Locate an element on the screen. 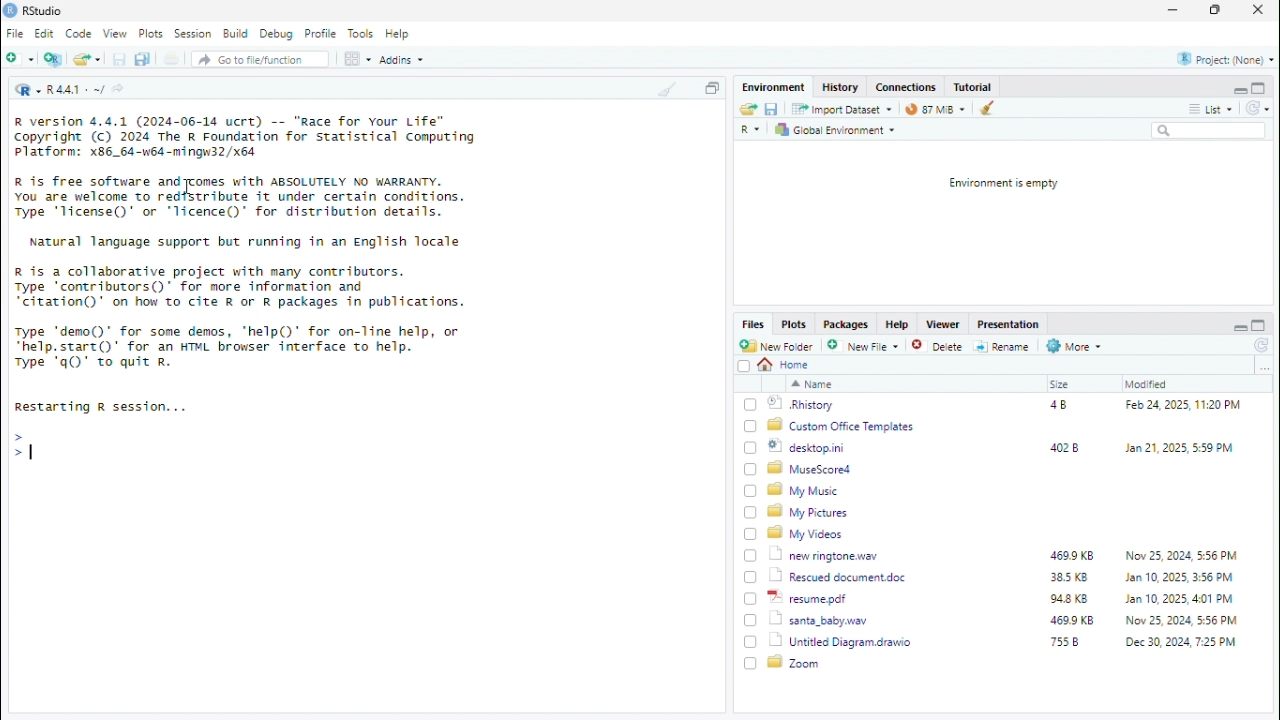 The height and width of the screenshot is (720, 1280). Checkbox is located at coordinates (744, 366).